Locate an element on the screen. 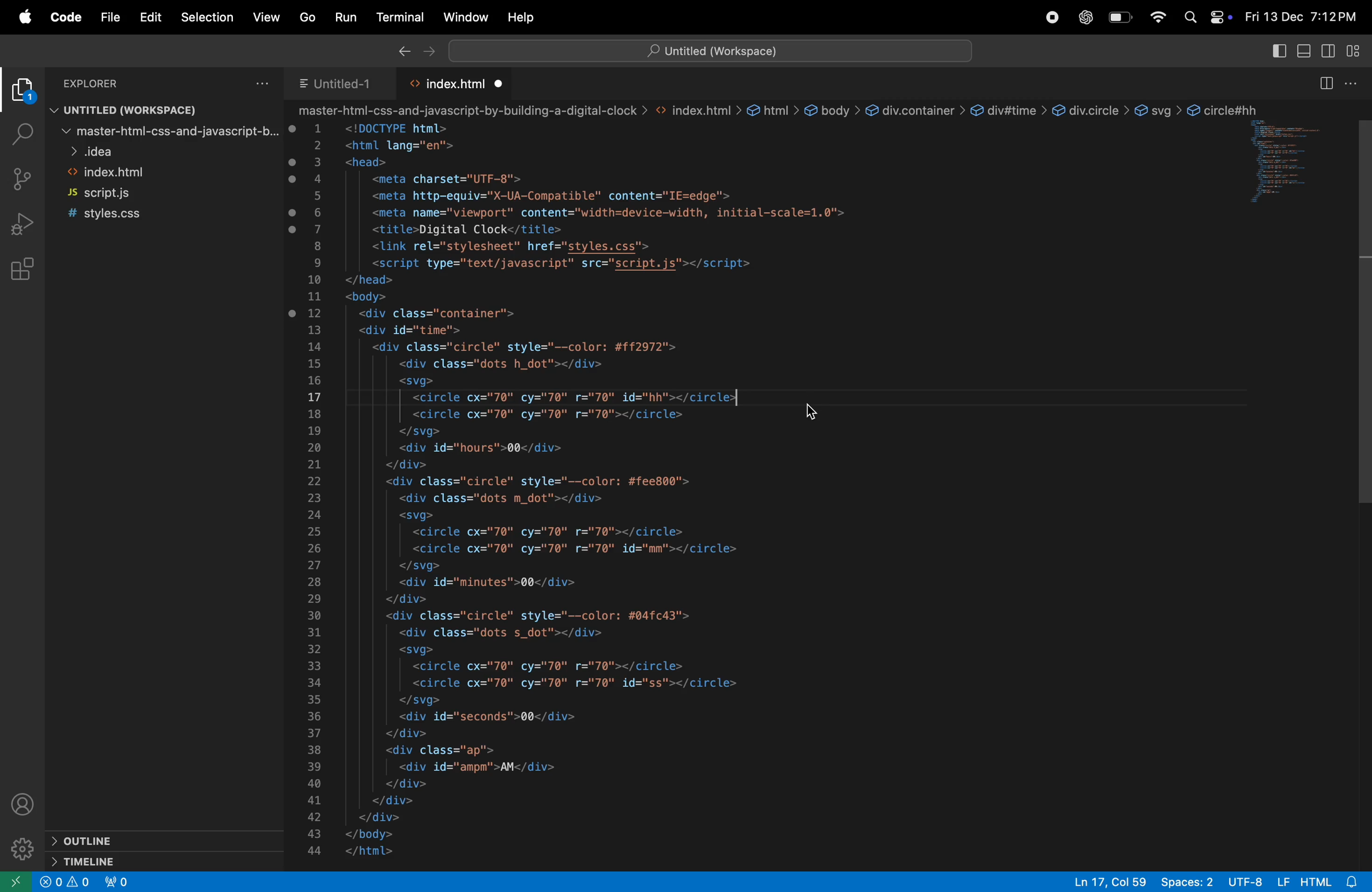  options is located at coordinates (1353, 84).